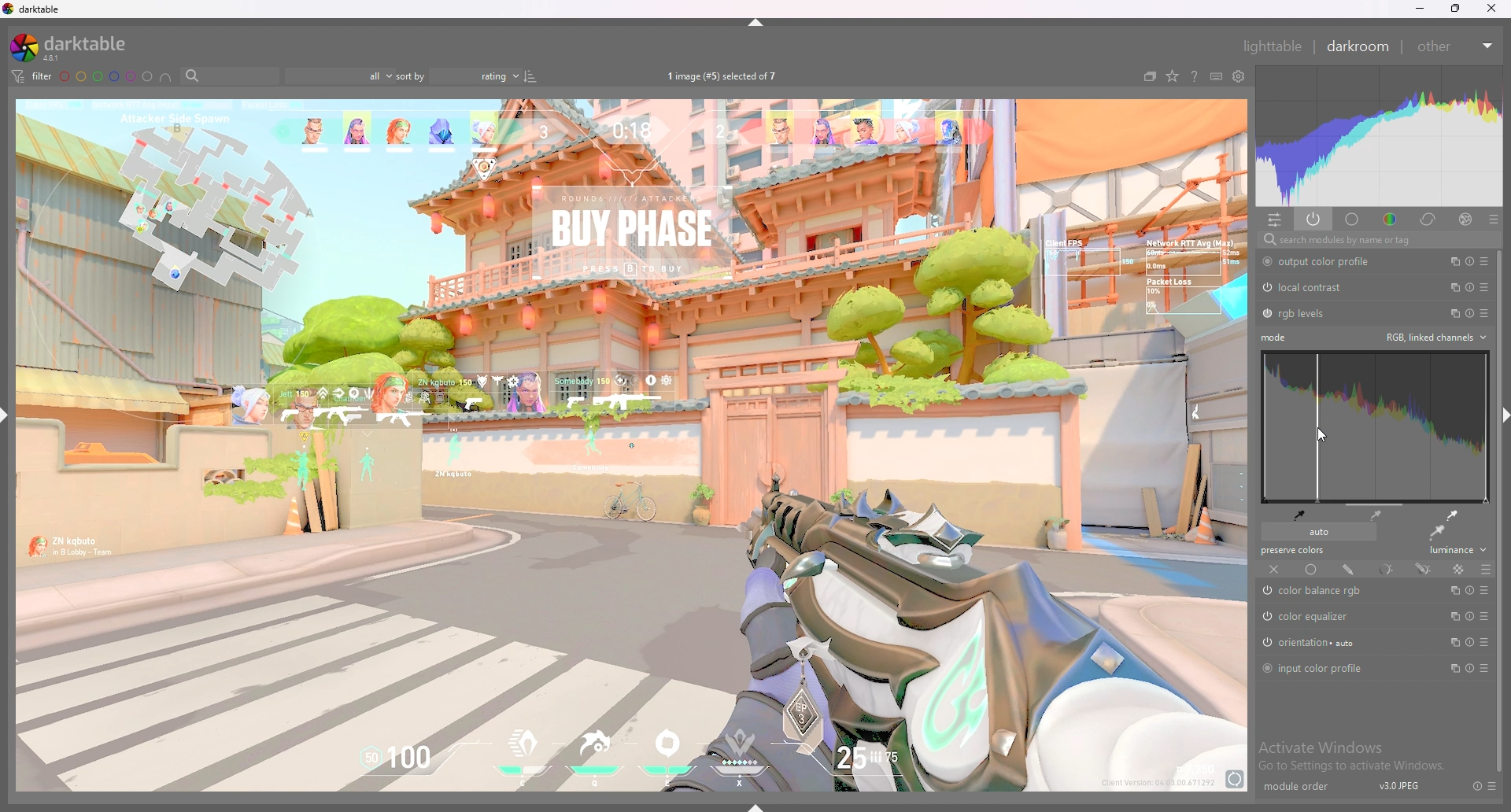 This screenshot has height=812, width=1511. I want to click on Auto Orientation, so click(1316, 644).